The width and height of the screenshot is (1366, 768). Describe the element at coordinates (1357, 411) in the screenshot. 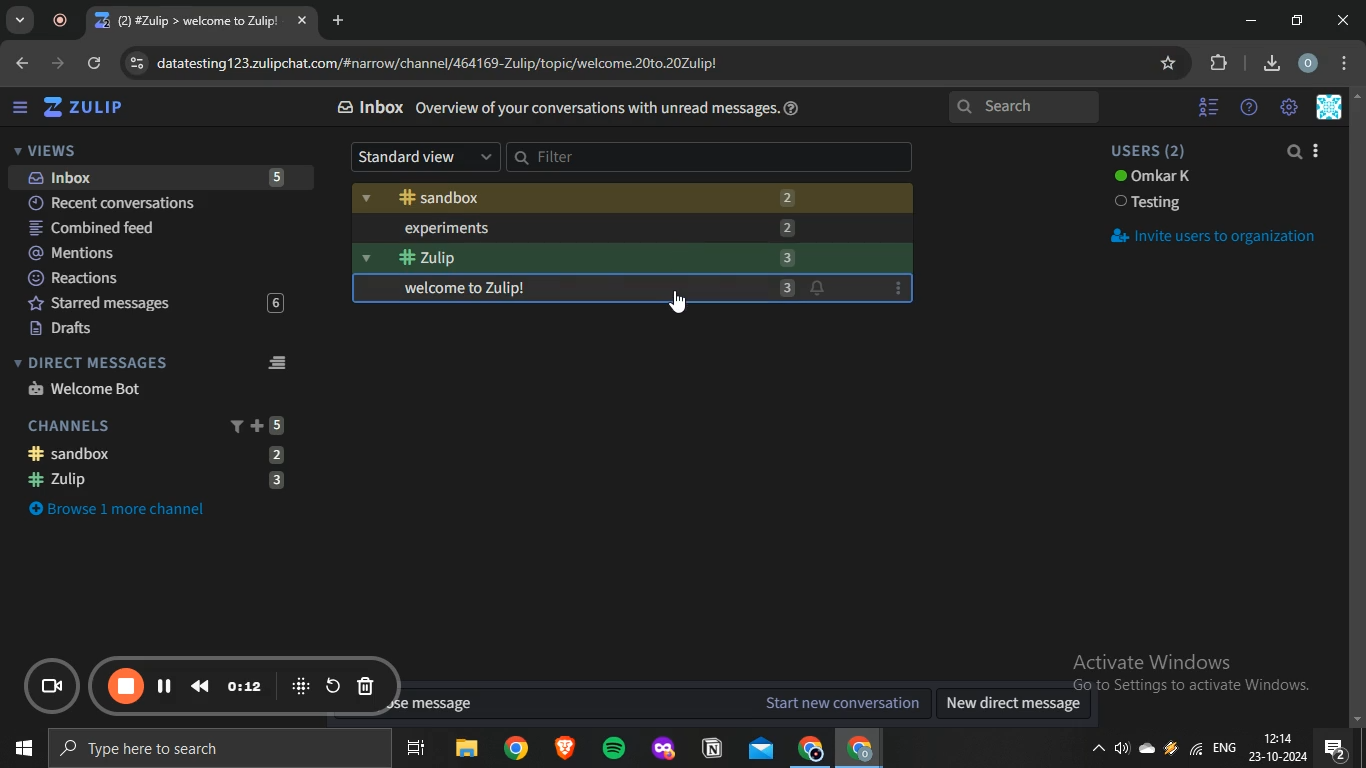

I see `scrollbar` at that location.